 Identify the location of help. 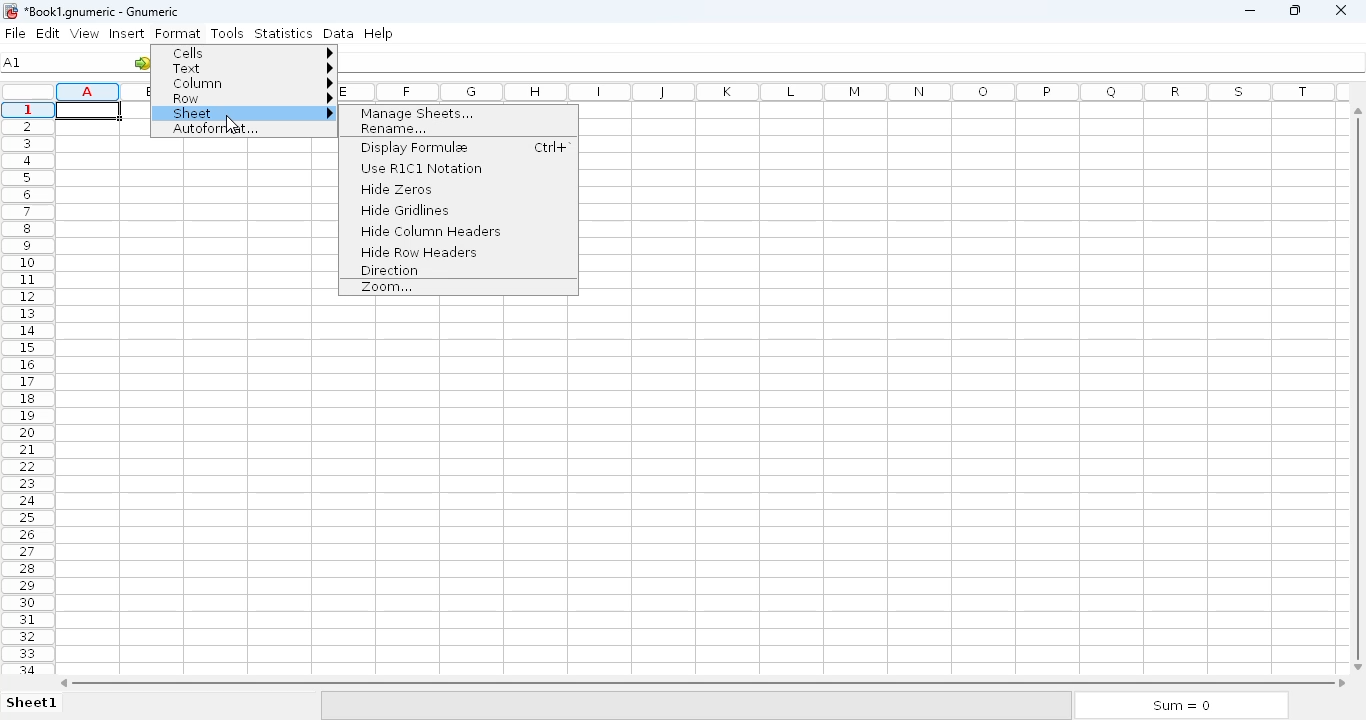
(378, 33).